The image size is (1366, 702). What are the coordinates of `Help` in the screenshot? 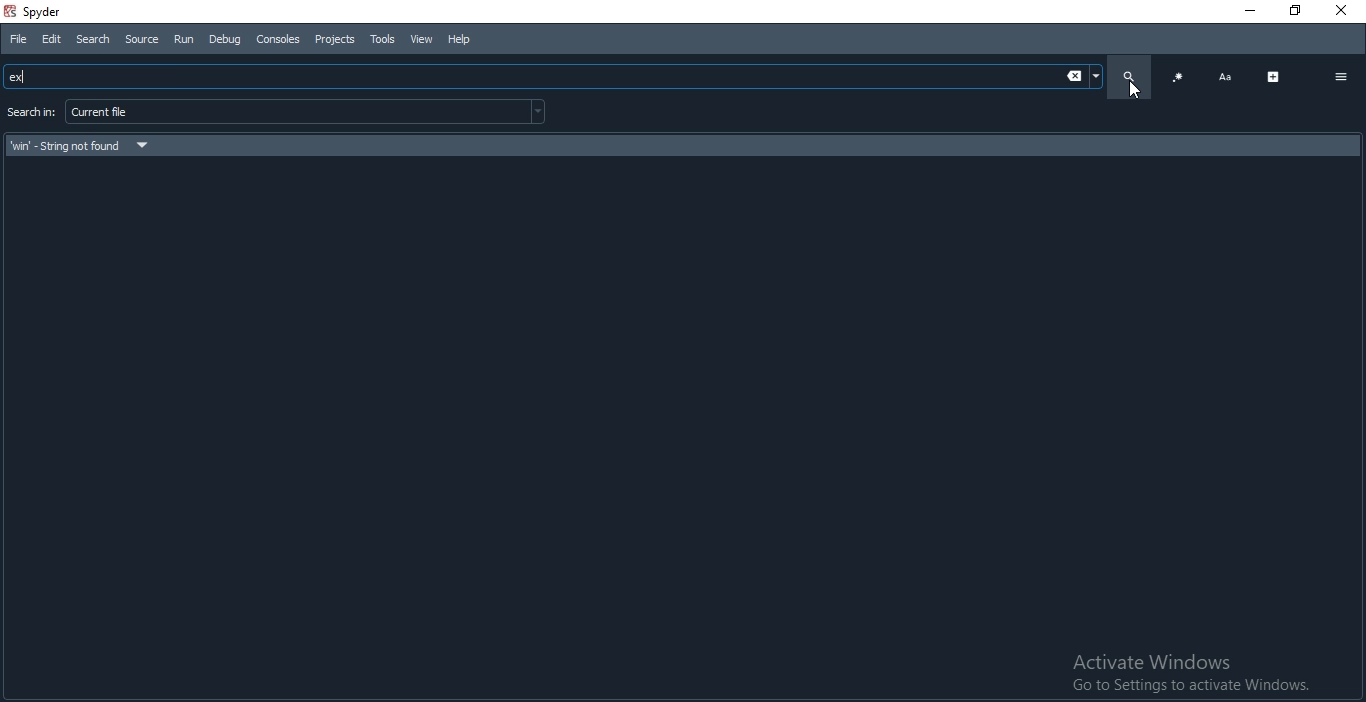 It's located at (466, 38).